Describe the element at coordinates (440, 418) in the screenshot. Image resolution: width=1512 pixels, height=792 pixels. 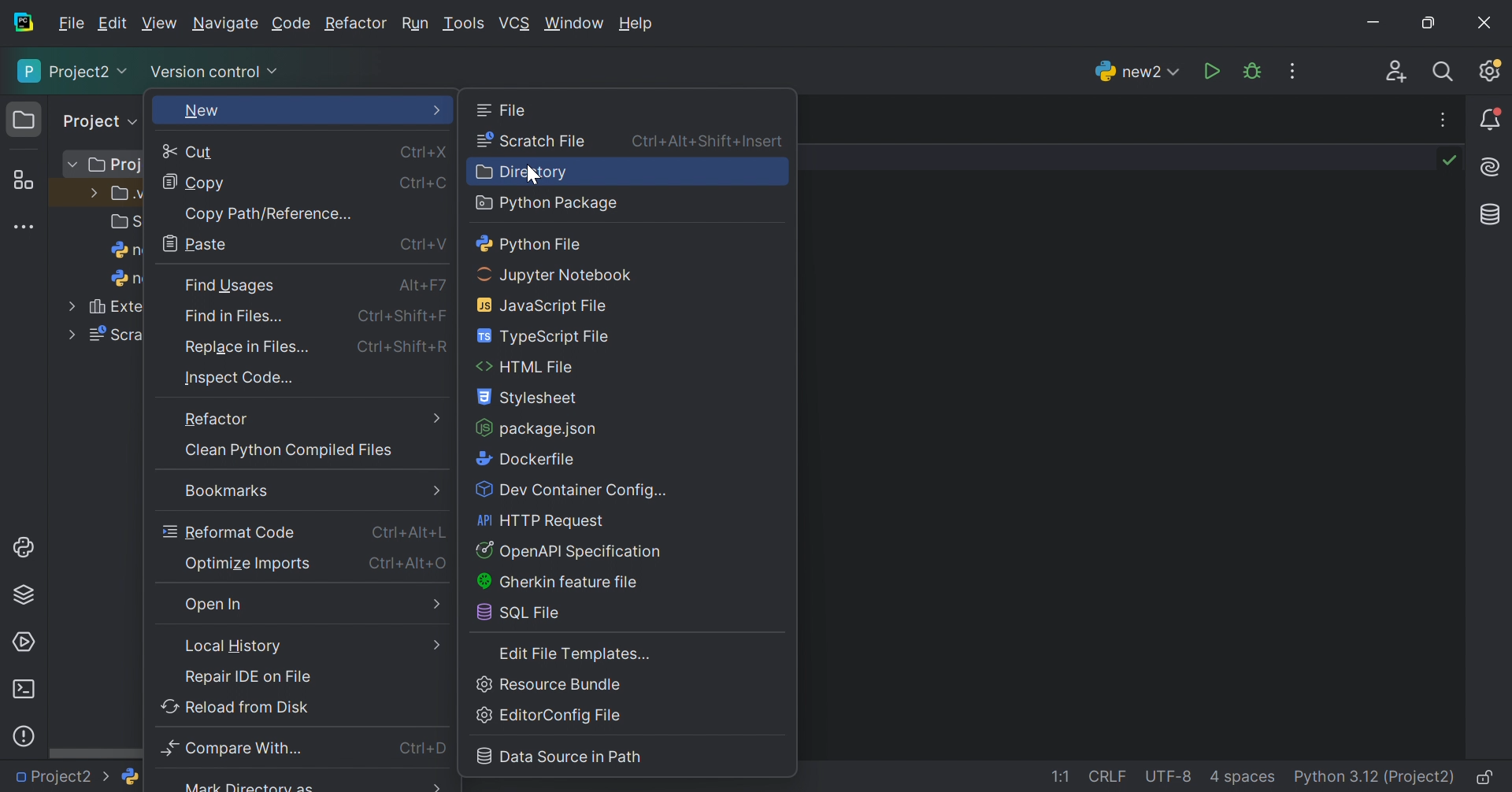
I see `More` at that location.